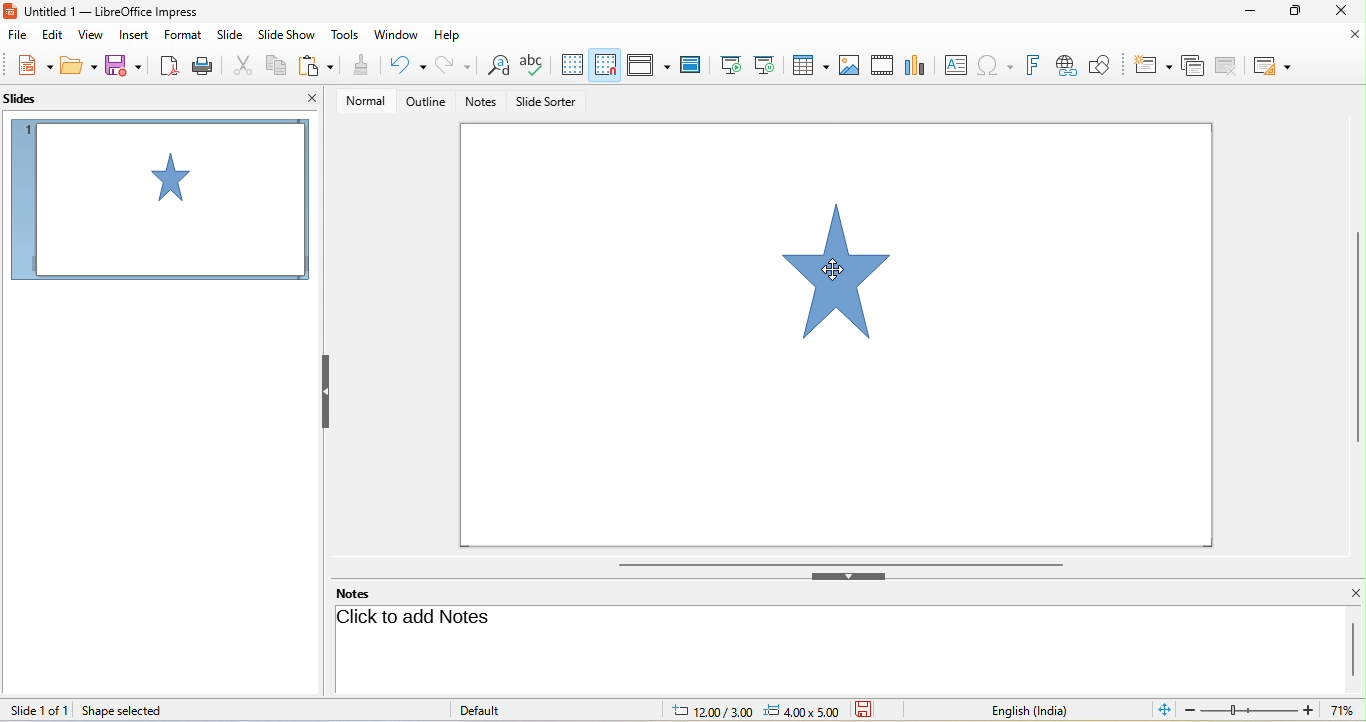 The image size is (1366, 722). What do you see at coordinates (422, 617) in the screenshot?
I see `click to add note` at bounding box center [422, 617].